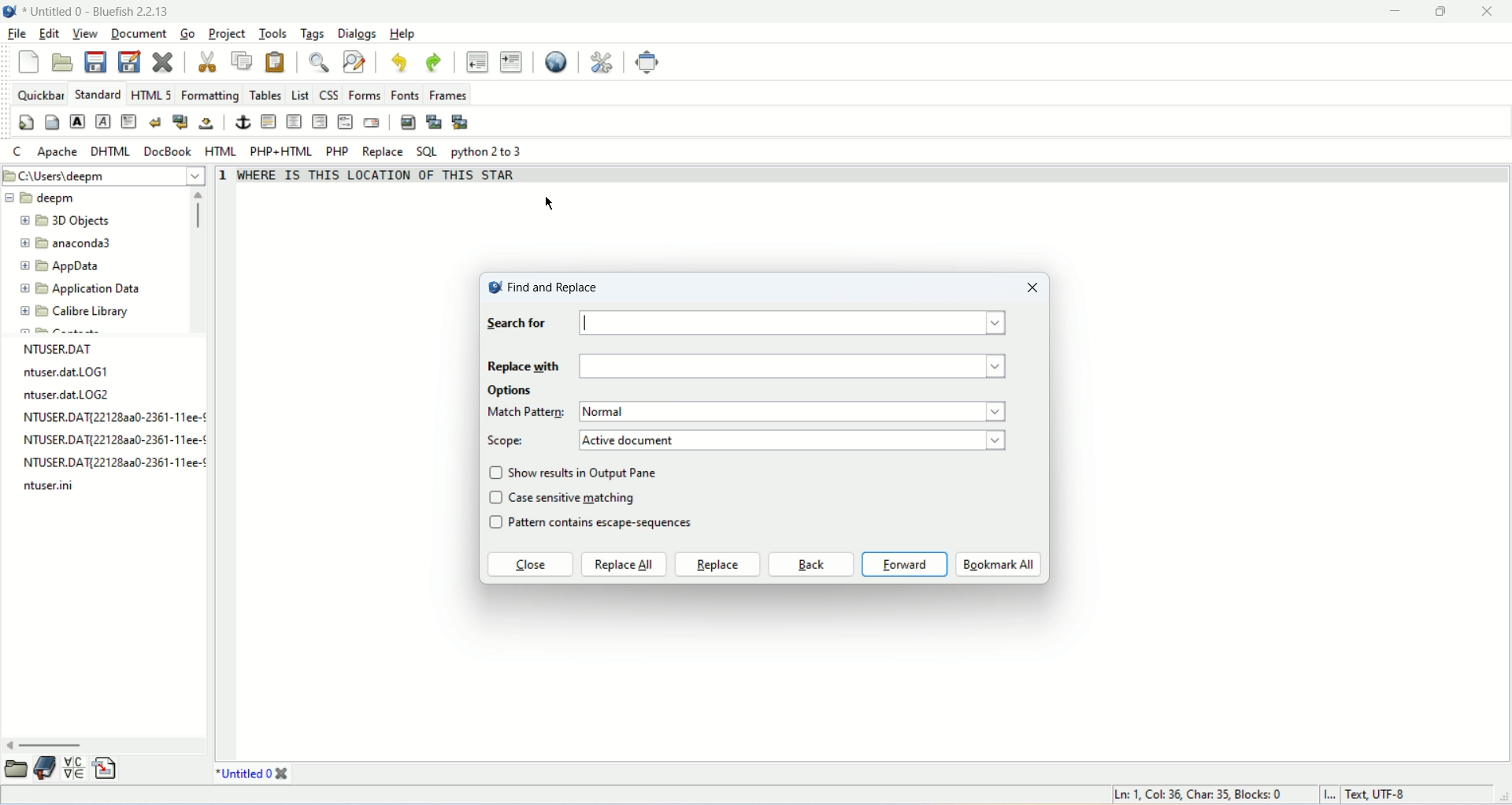 Image resolution: width=1512 pixels, height=805 pixels. Describe the element at coordinates (201, 259) in the screenshot. I see `scroll bar` at that location.